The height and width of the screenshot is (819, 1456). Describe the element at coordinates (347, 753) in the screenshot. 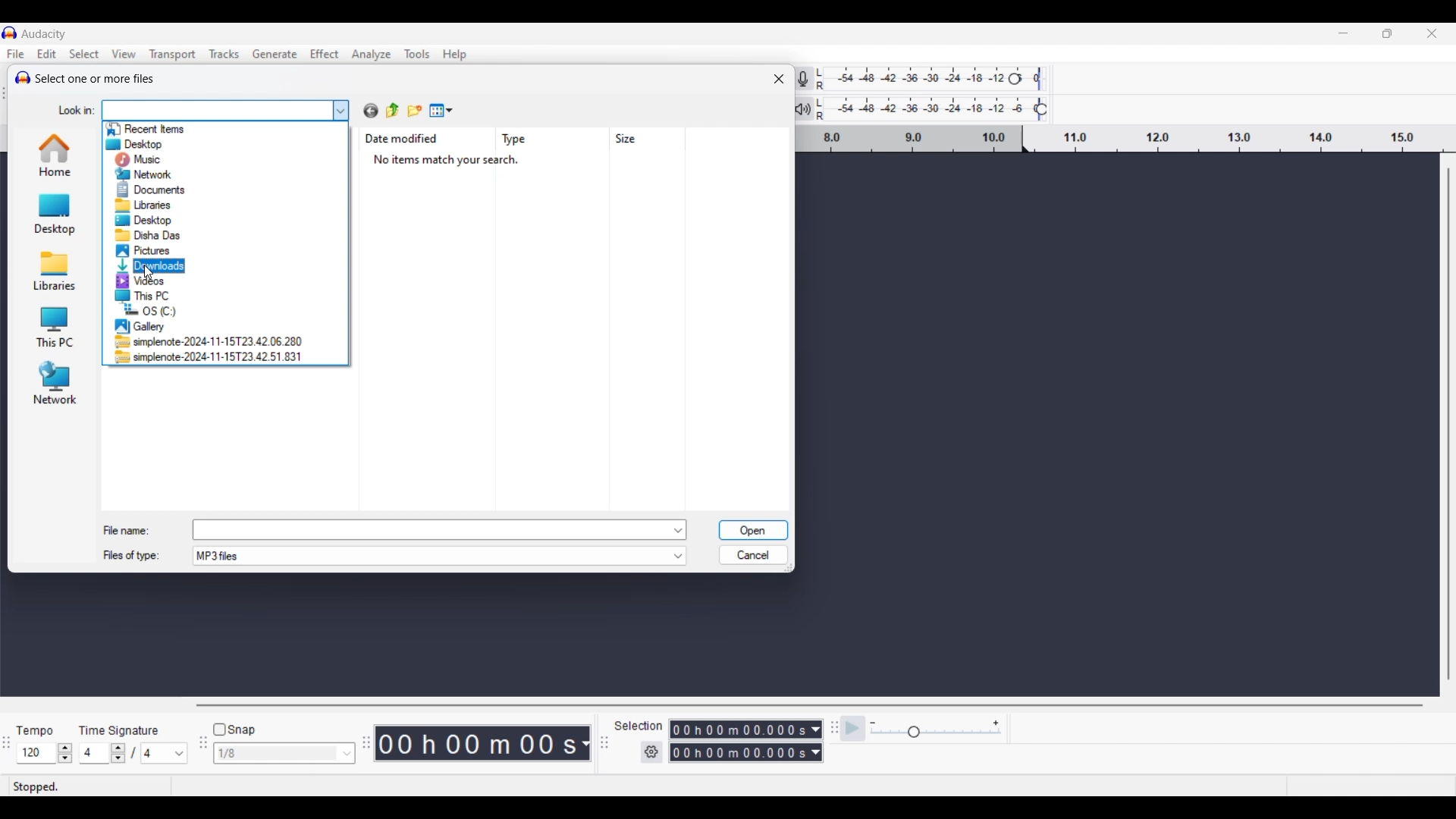

I see `Snap options` at that location.